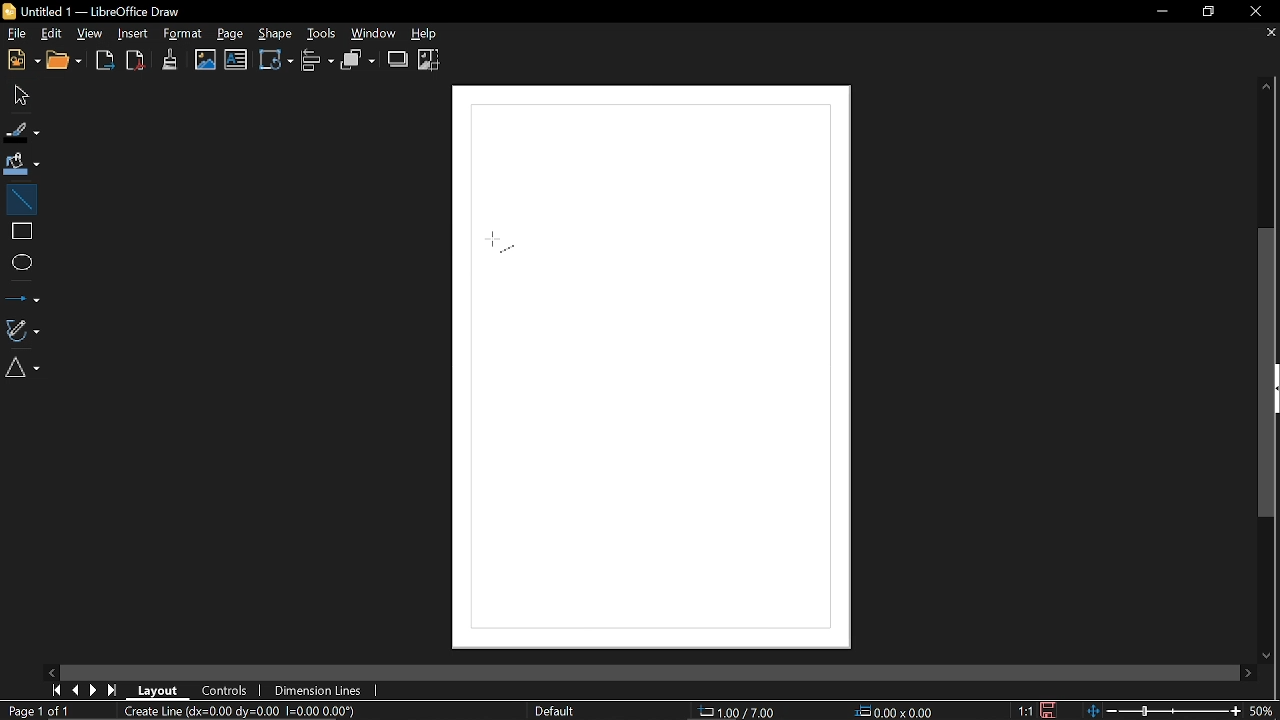  I want to click on change zoom, so click(1164, 711).